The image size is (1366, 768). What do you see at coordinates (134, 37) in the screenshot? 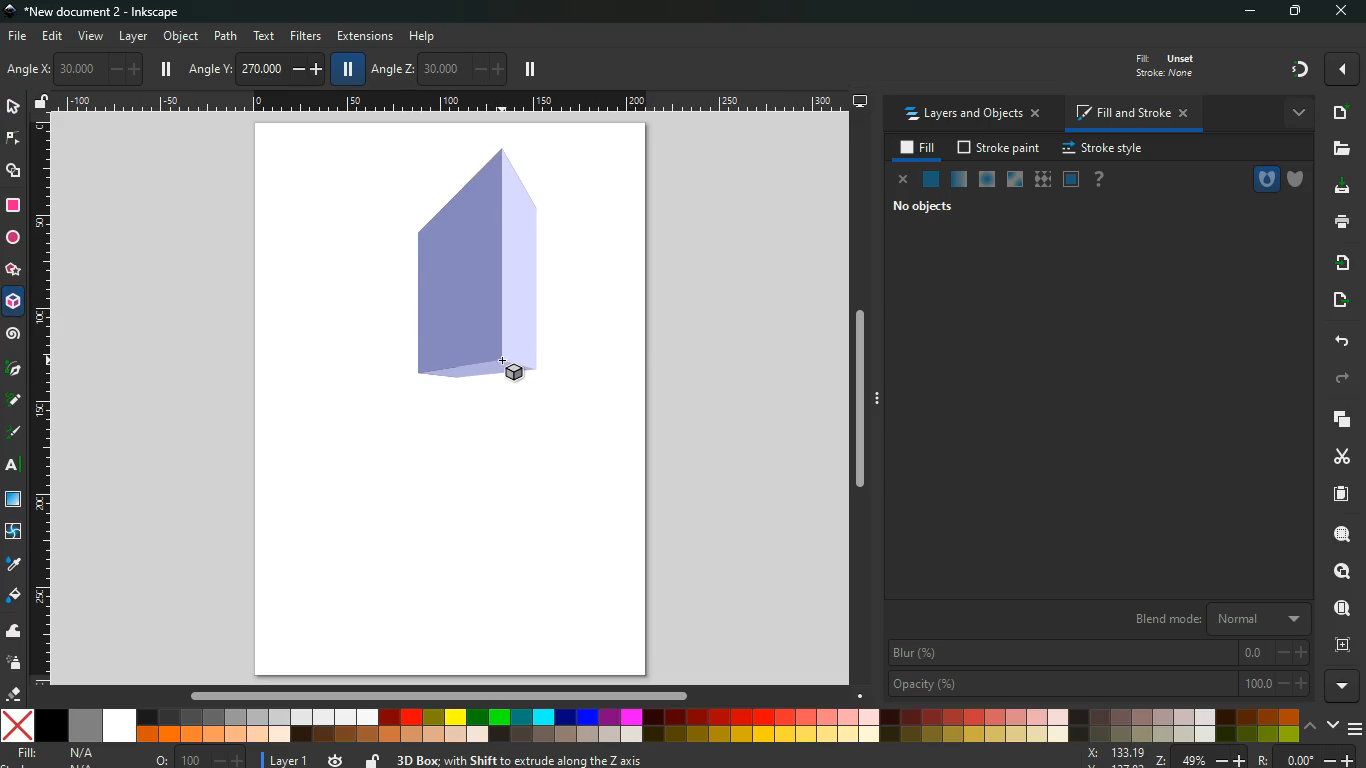
I see `layer` at bounding box center [134, 37].